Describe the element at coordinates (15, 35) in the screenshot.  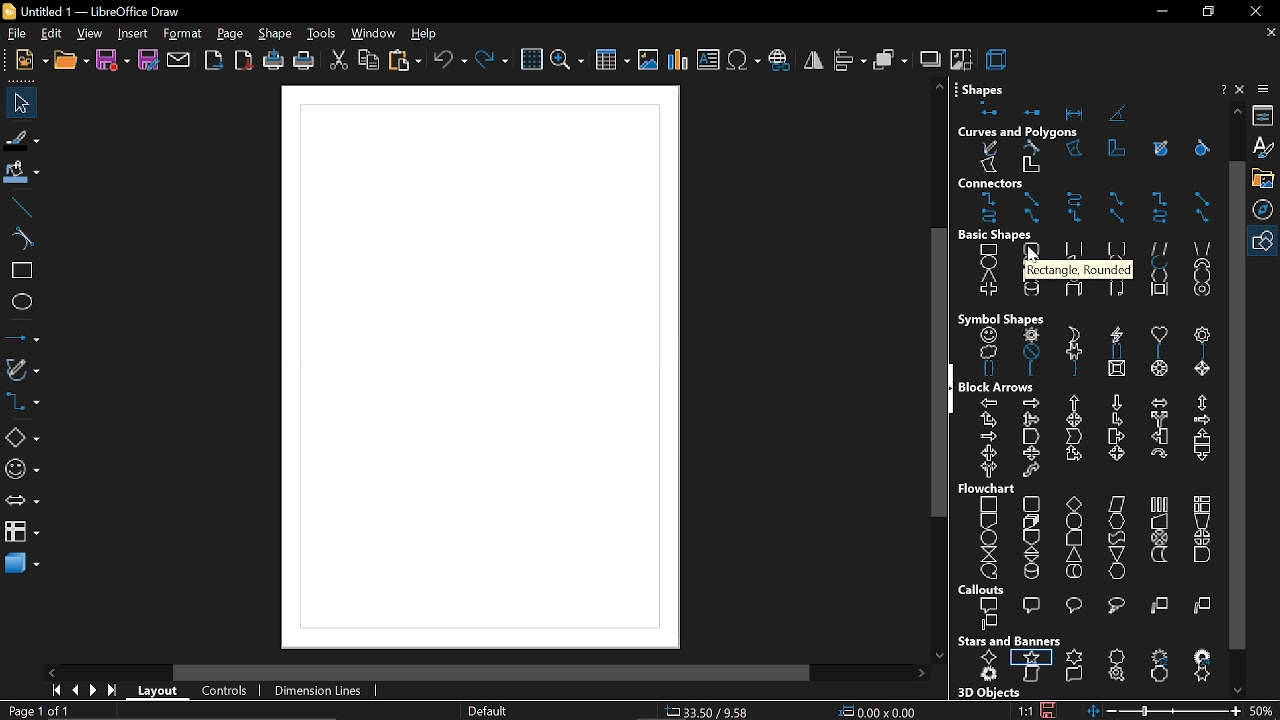
I see `file` at that location.